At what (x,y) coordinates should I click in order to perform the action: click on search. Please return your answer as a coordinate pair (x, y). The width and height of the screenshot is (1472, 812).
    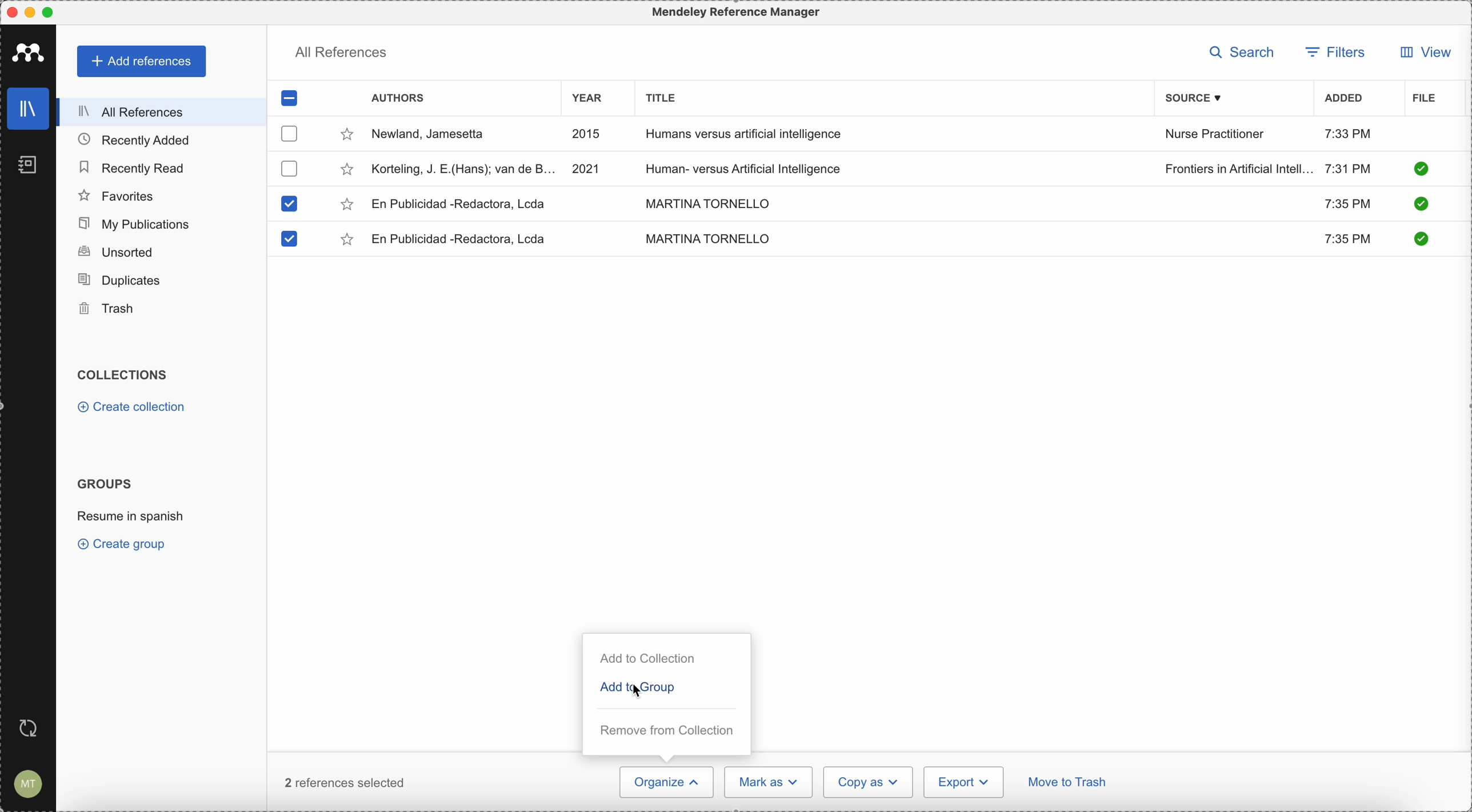
    Looking at the image, I should click on (1246, 53).